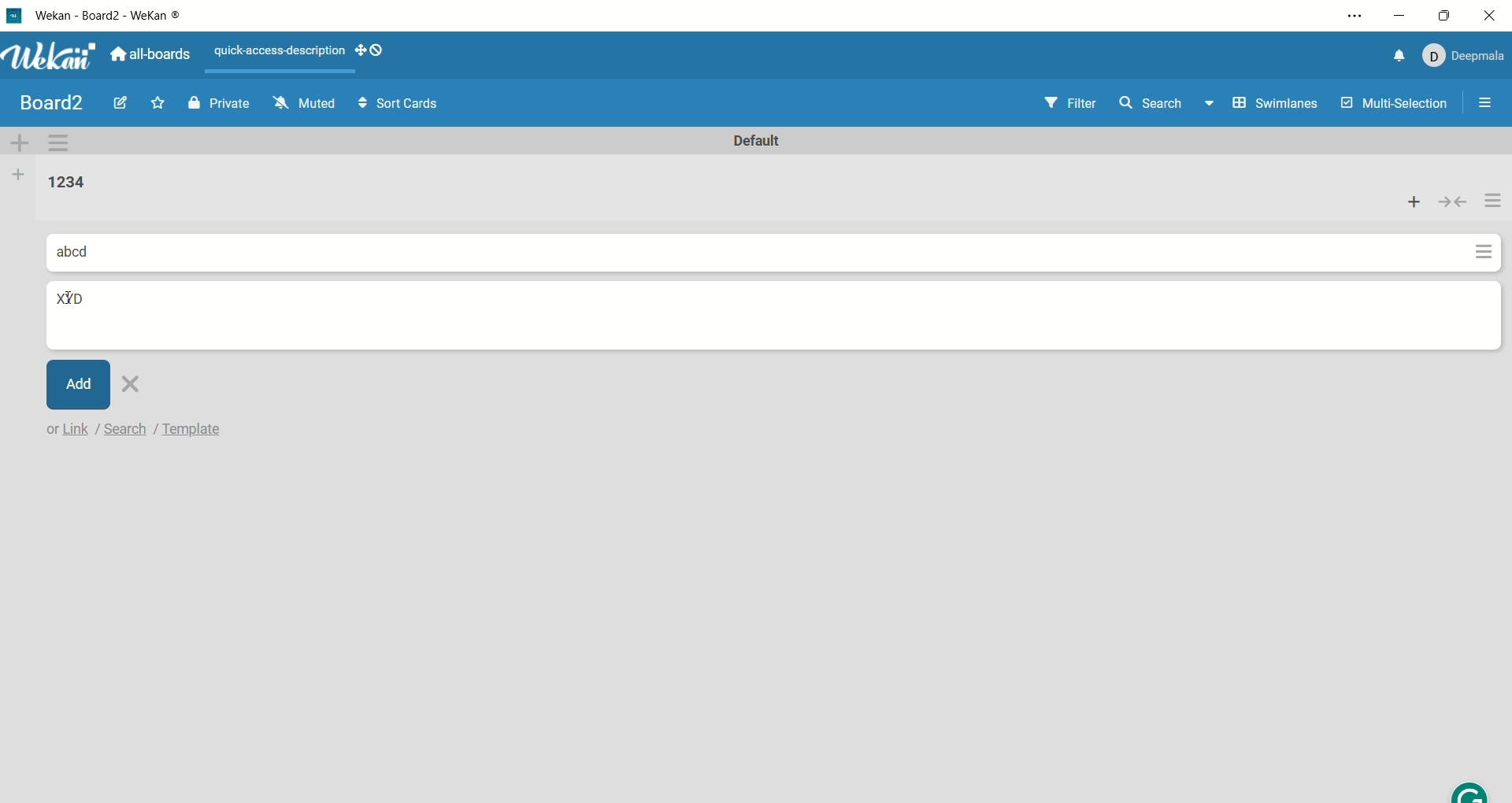 This screenshot has width=1512, height=803. I want to click on account, so click(1463, 53).